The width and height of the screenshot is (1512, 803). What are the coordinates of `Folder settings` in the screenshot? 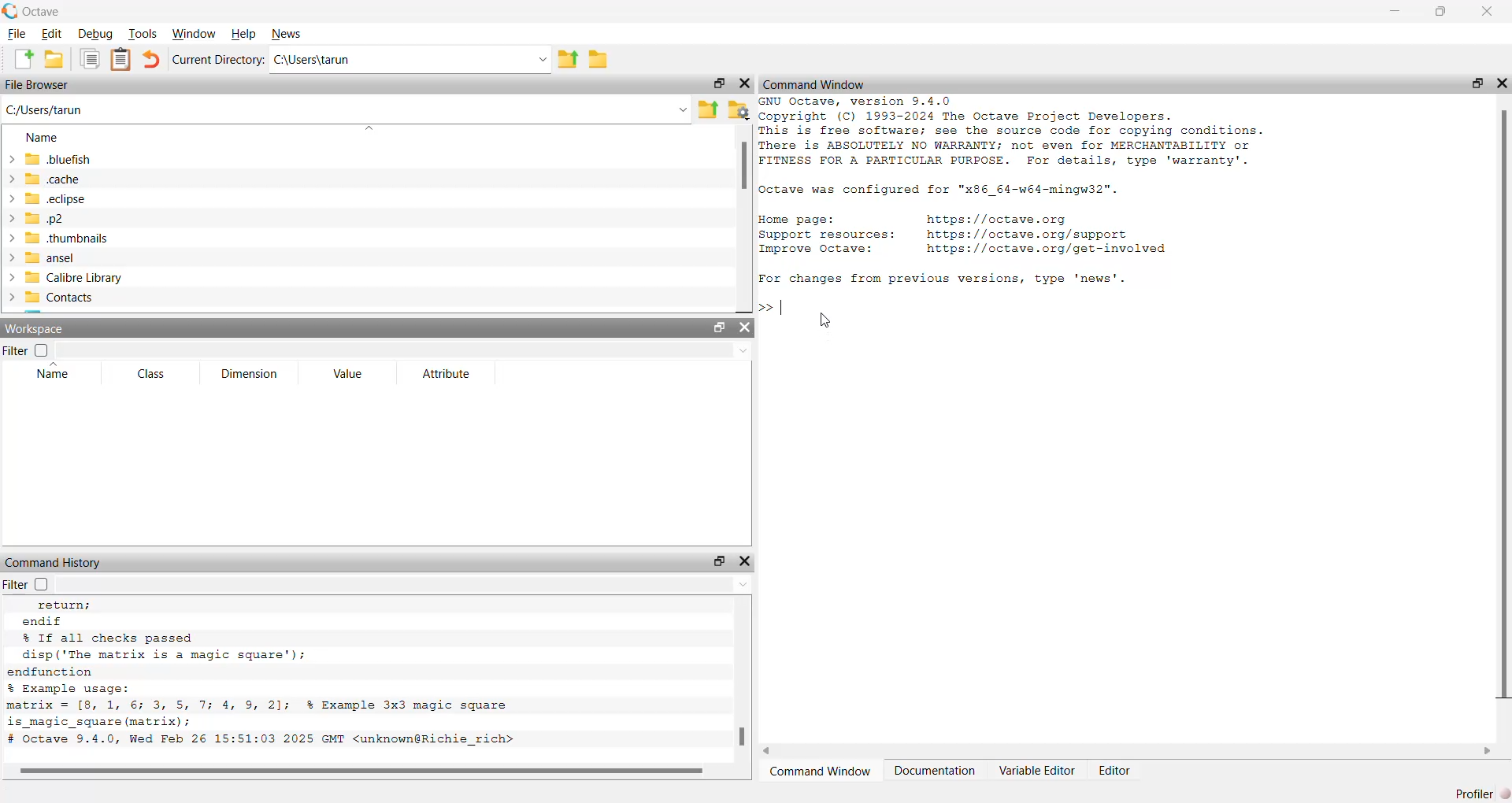 It's located at (738, 111).